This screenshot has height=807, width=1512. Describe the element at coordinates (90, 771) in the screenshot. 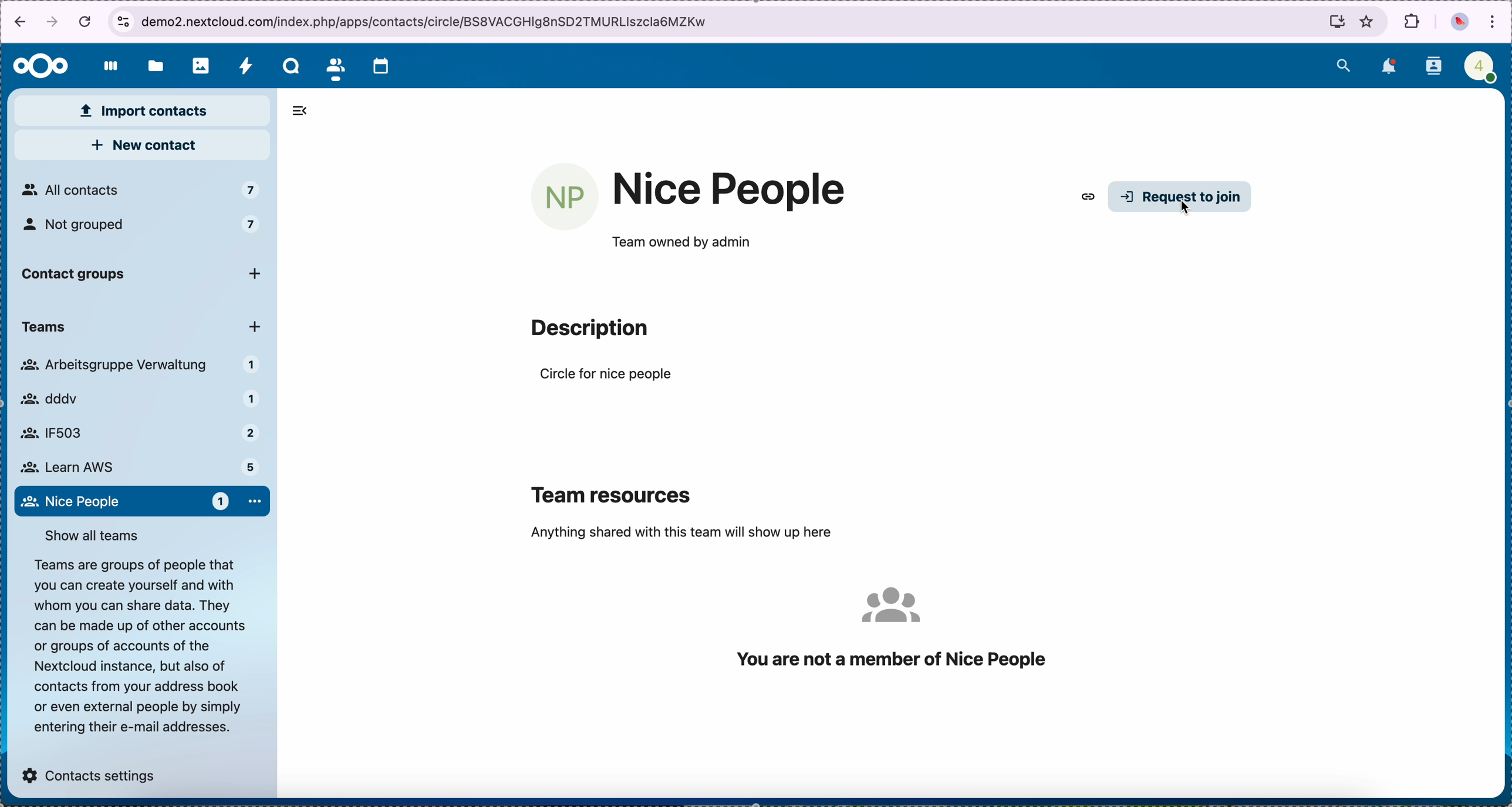

I see `contacts settings` at that location.